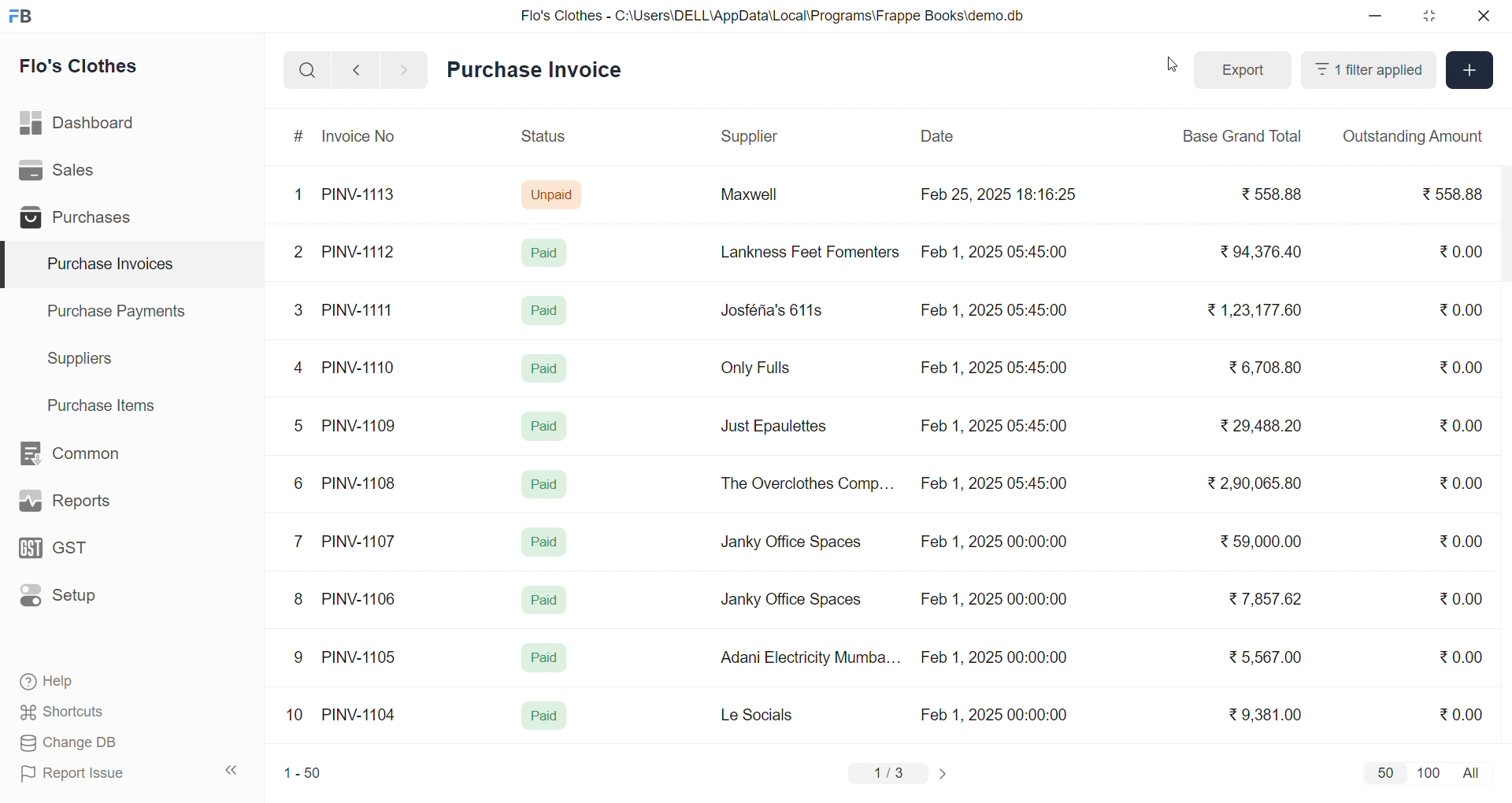 This screenshot has height=803, width=1512. What do you see at coordinates (360, 483) in the screenshot?
I see `PINV-1108` at bounding box center [360, 483].